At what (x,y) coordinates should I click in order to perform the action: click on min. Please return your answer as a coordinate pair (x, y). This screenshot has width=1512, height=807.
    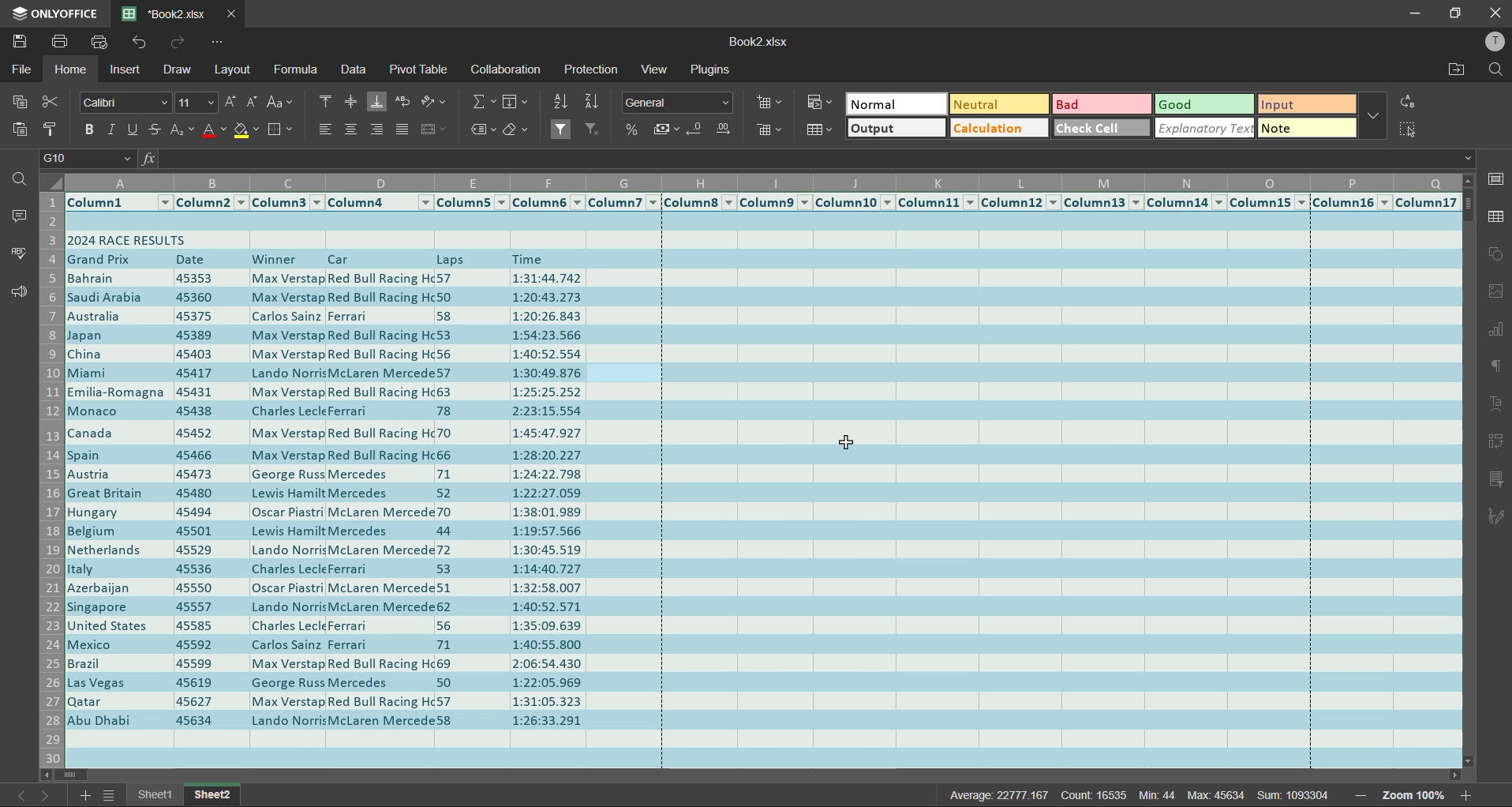
    Looking at the image, I should click on (1158, 795).